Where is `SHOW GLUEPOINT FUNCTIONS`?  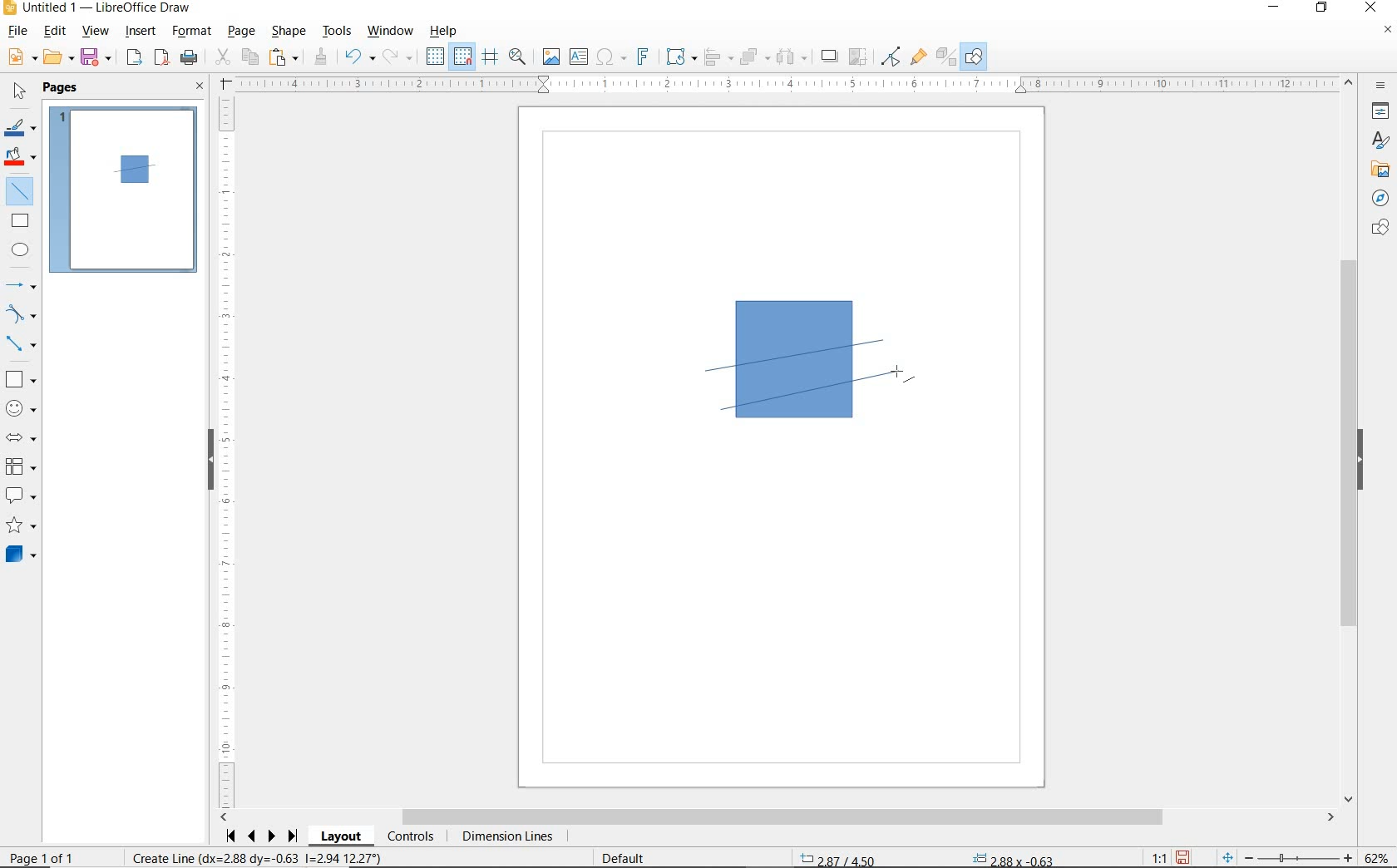
SHOW GLUEPOINT FUNCTIONS is located at coordinates (917, 56).